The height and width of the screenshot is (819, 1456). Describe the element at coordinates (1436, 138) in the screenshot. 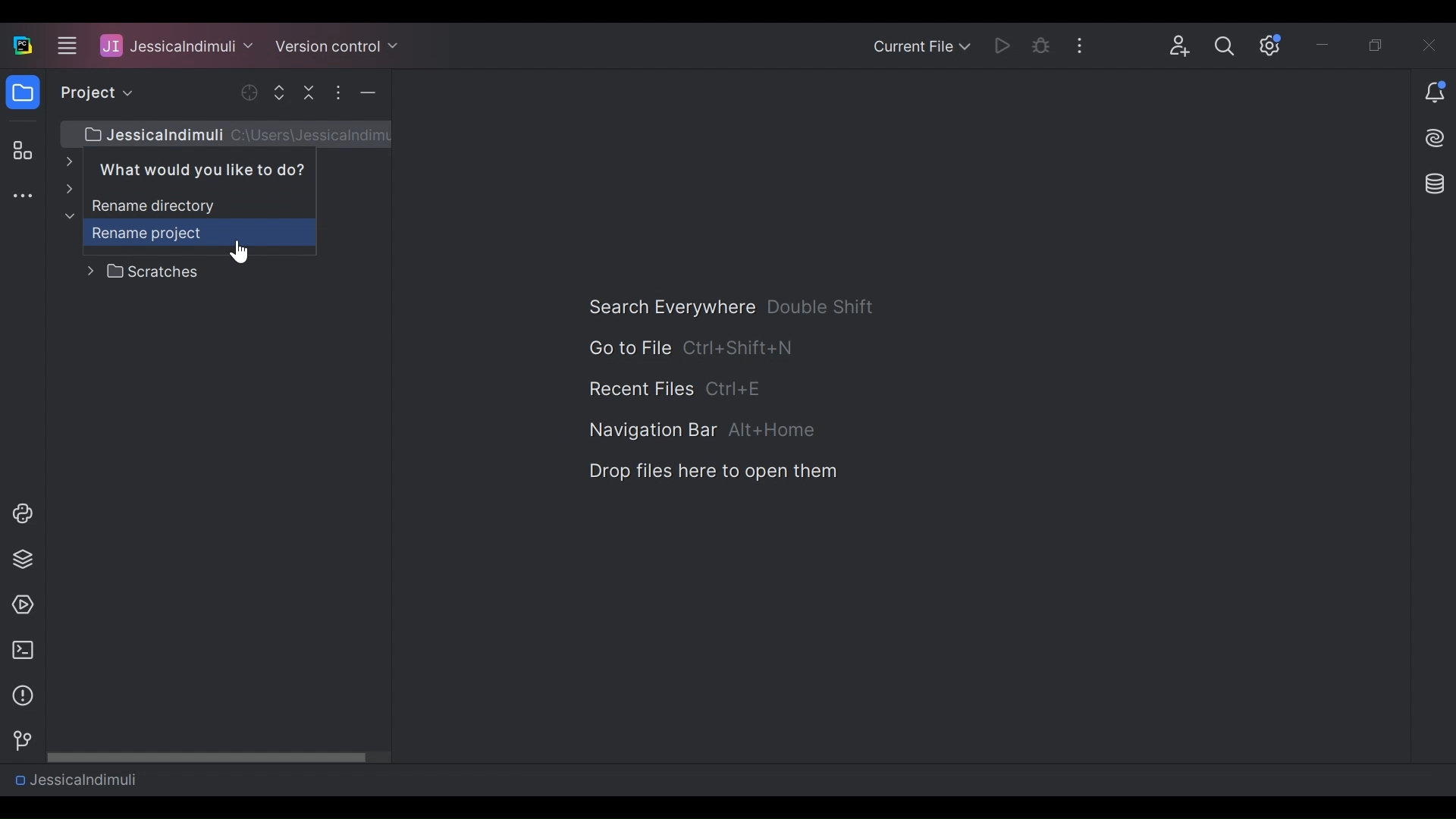

I see `AI Assistant` at that location.